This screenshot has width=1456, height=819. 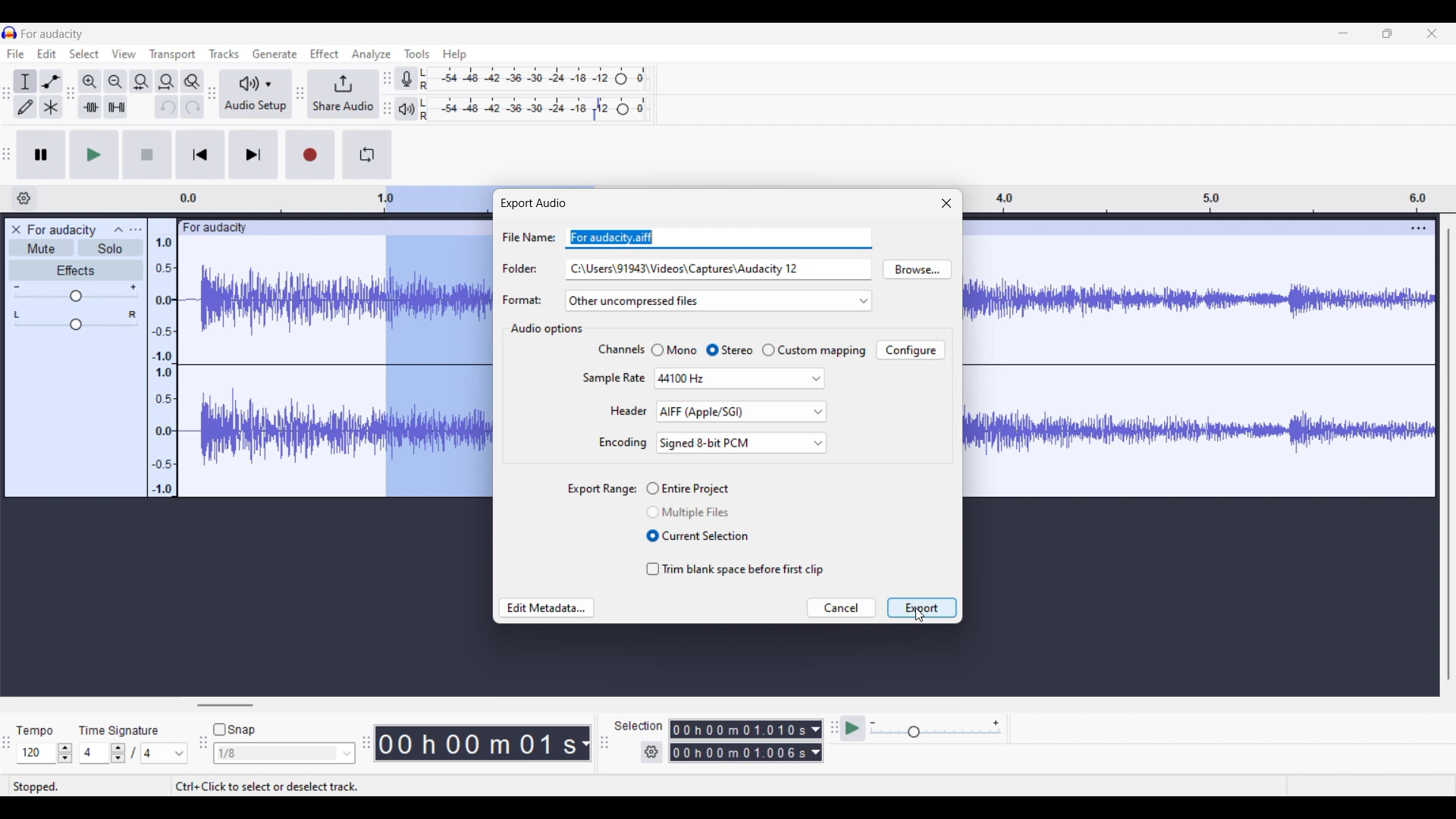 I want to click on Current Selection, so click(x=700, y=538).